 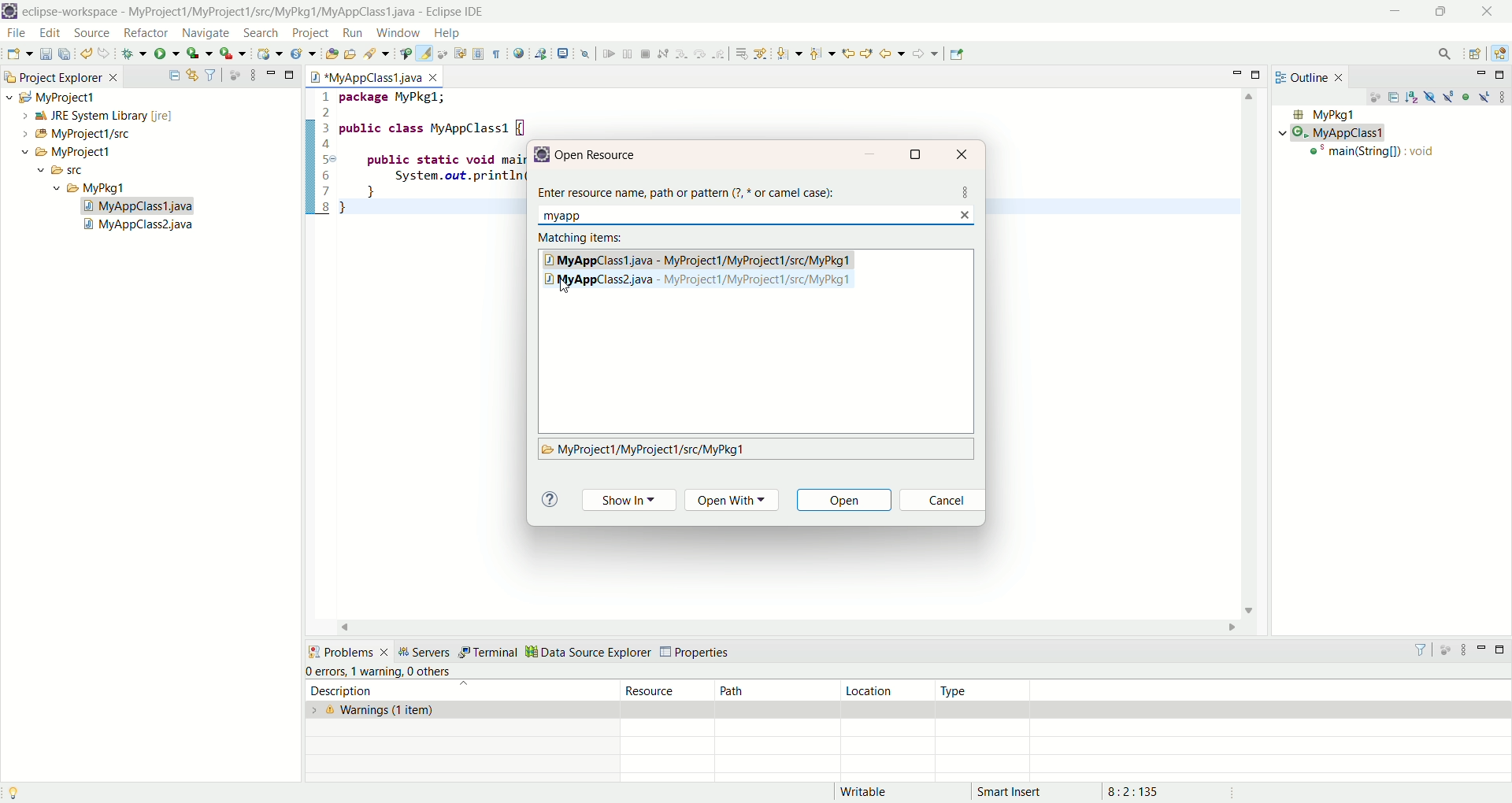 I want to click on redo, so click(x=105, y=54).